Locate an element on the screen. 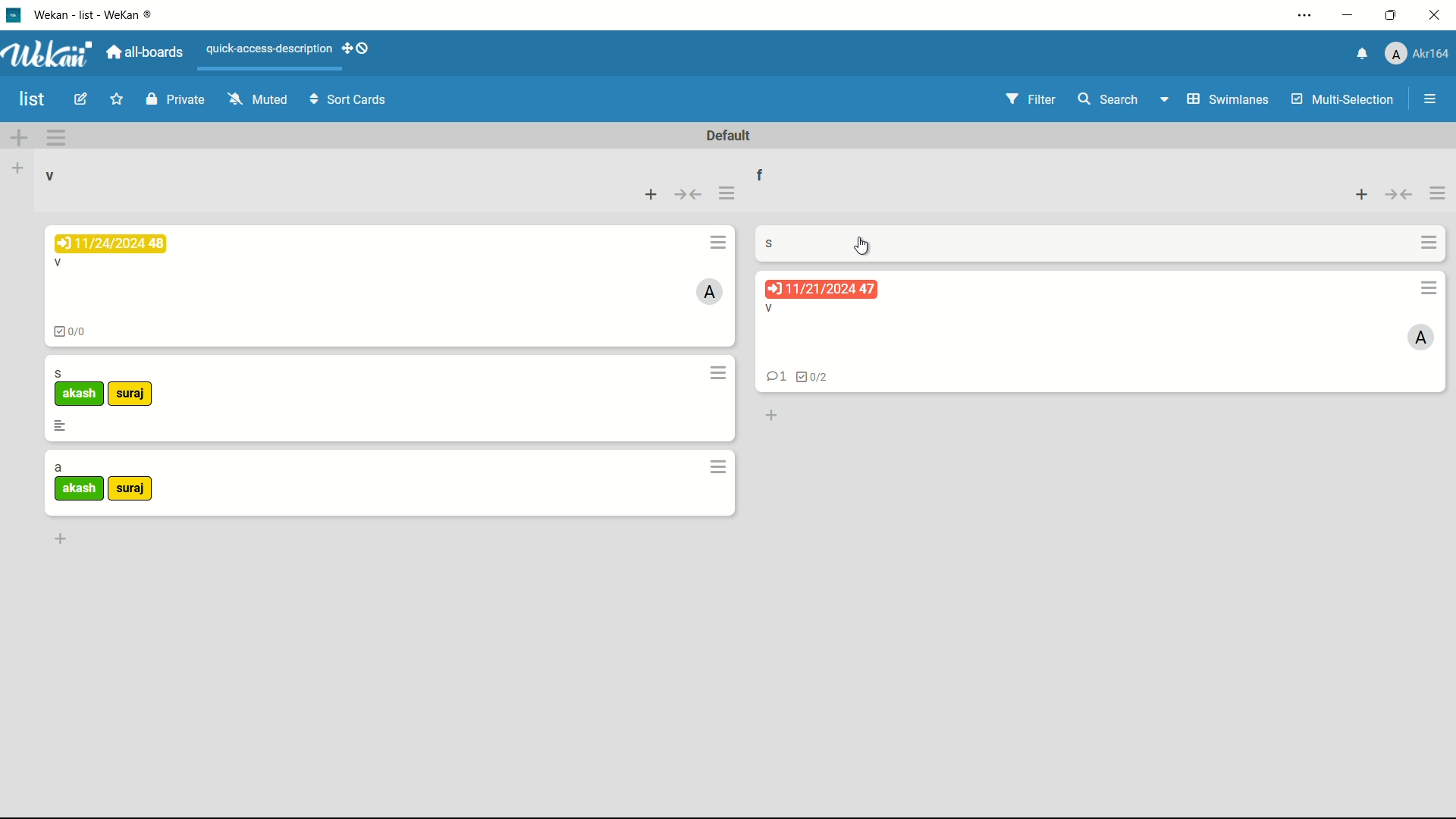 The width and height of the screenshot is (1456, 819). card actions is located at coordinates (1428, 287).